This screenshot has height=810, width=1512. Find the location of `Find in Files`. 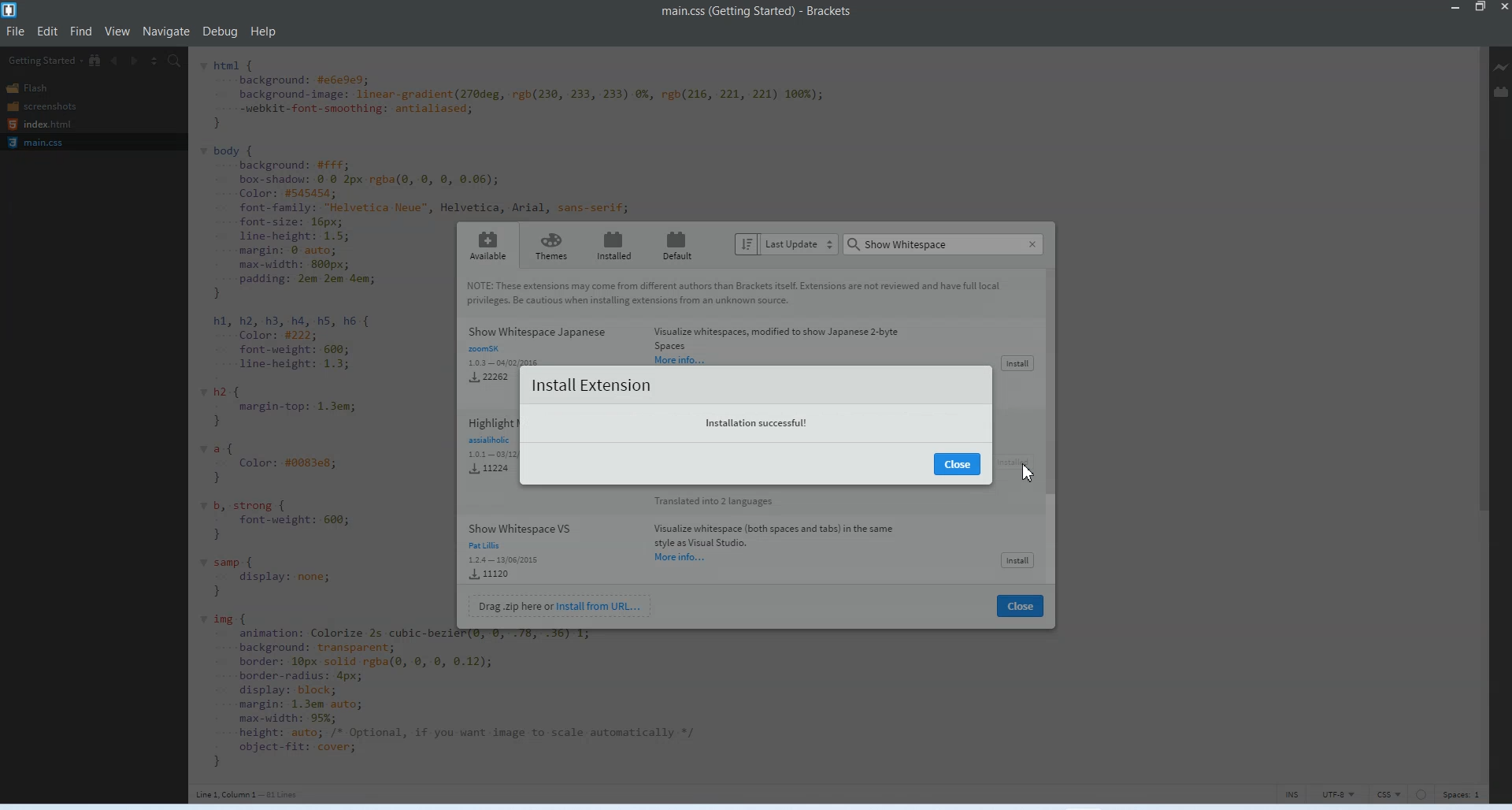

Find in Files is located at coordinates (176, 60).